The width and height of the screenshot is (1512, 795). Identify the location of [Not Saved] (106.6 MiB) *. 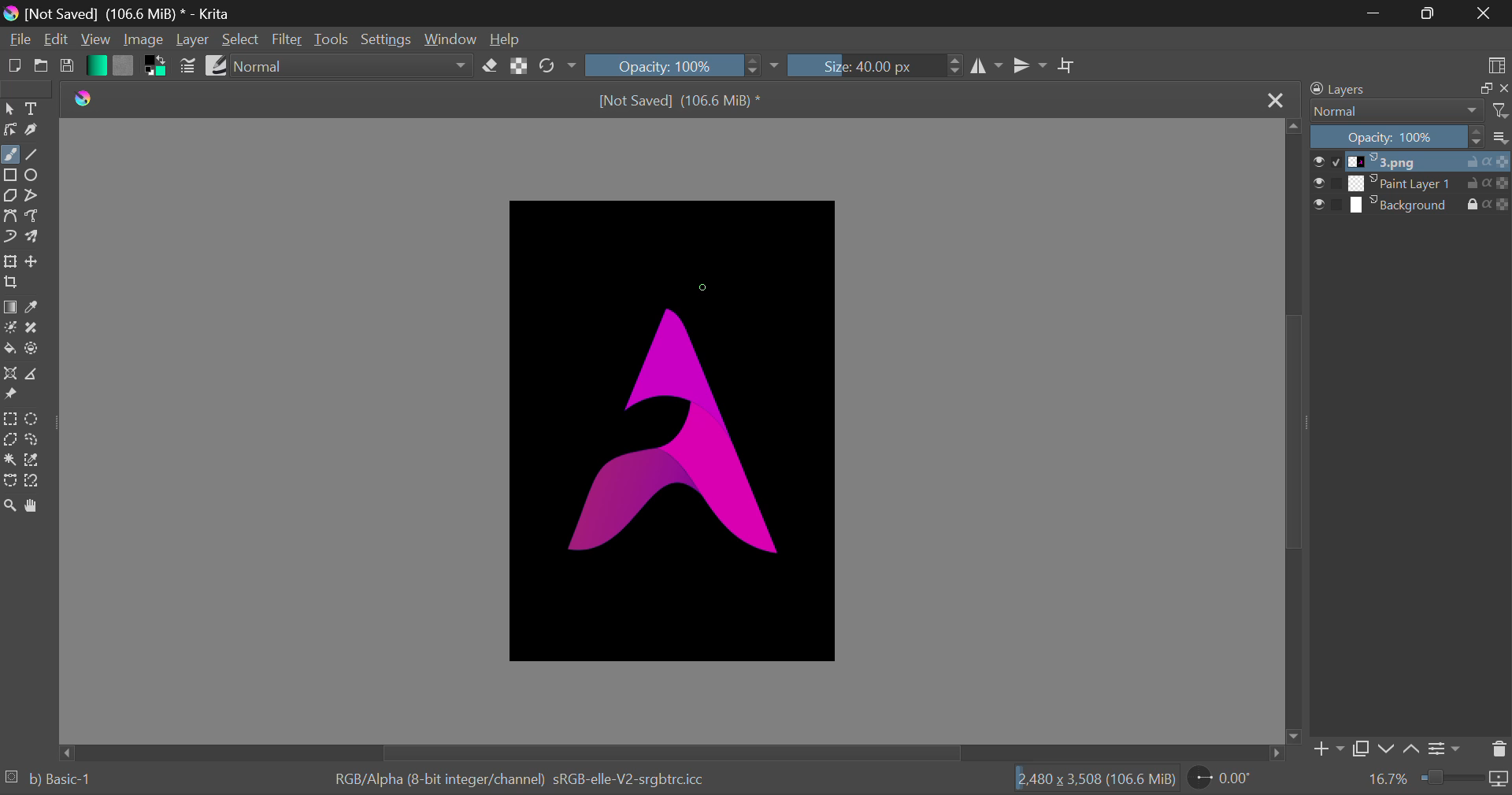
(673, 99).